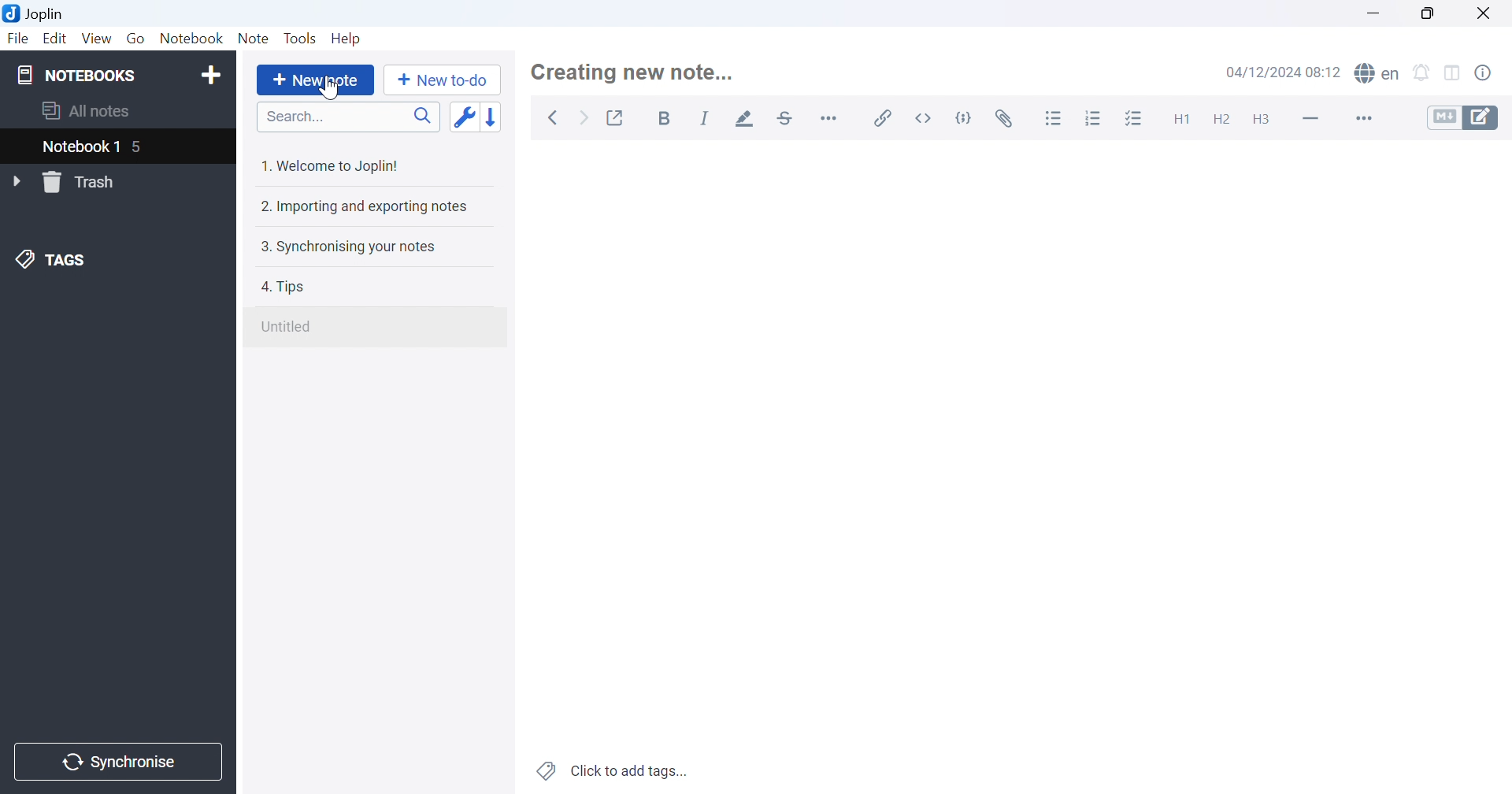 The image size is (1512, 794). I want to click on Toggle external editing, so click(618, 117).